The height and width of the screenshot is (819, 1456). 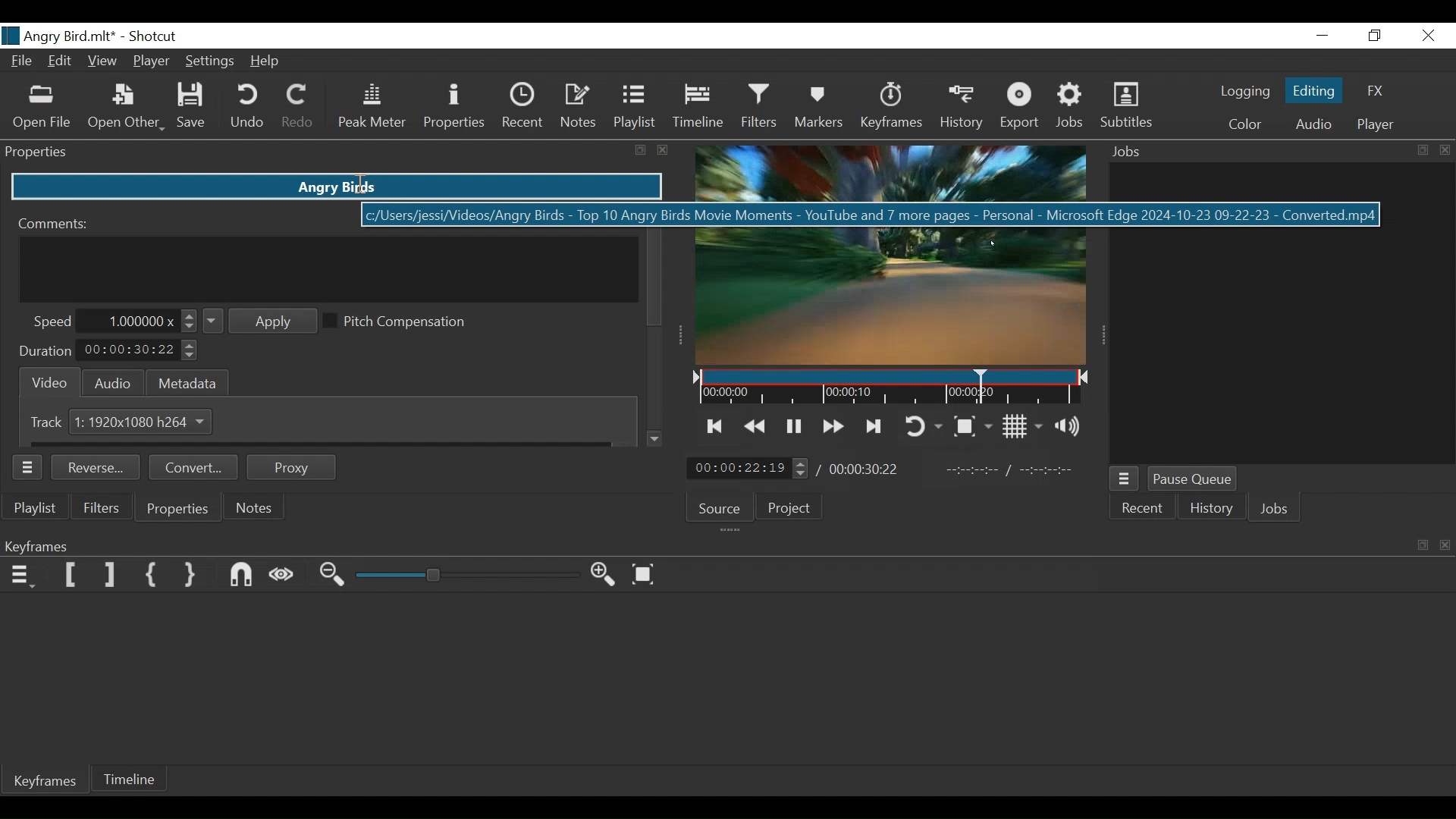 What do you see at coordinates (975, 425) in the screenshot?
I see `Toggle Zoom` at bounding box center [975, 425].